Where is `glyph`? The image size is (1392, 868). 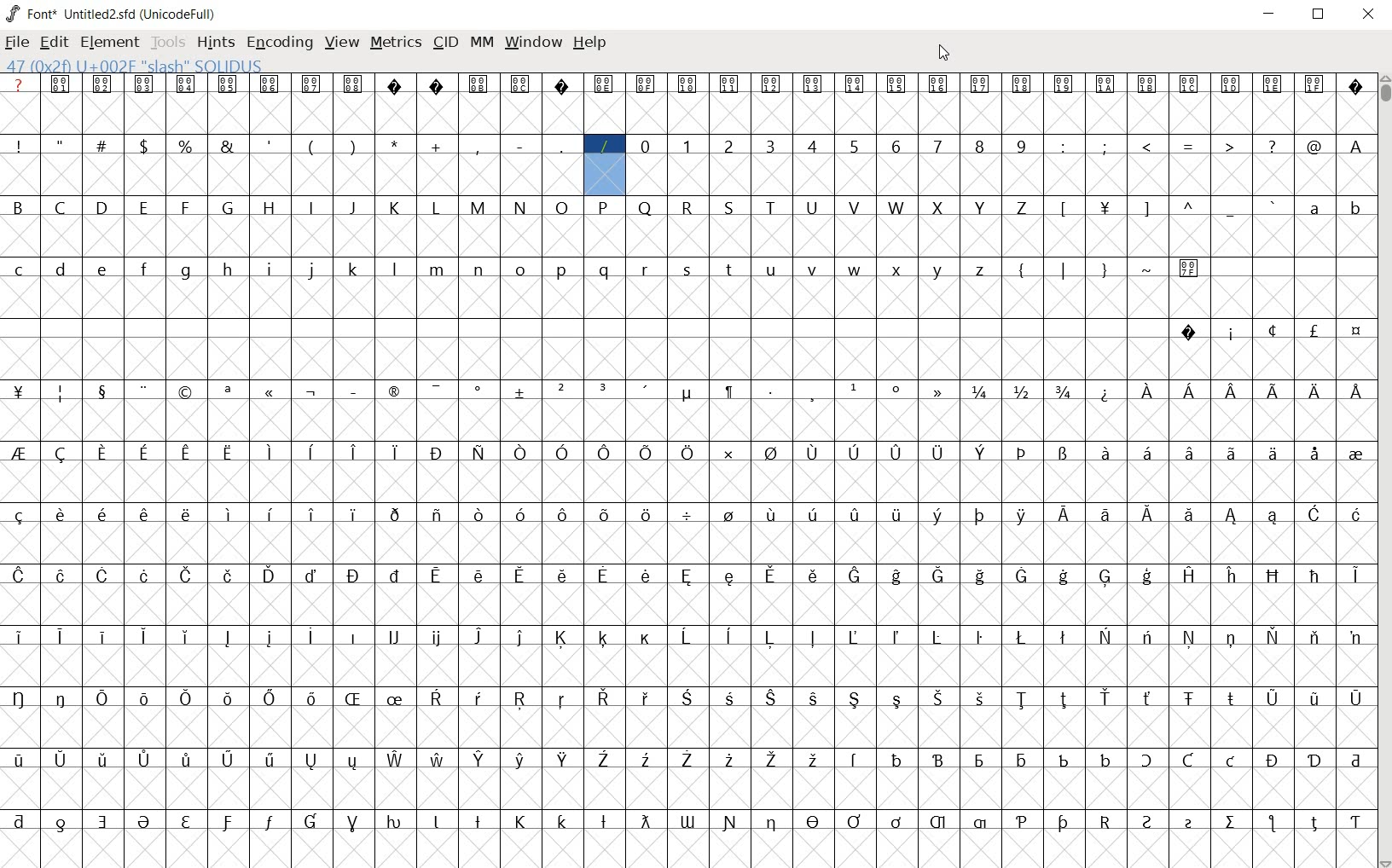 glyph is located at coordinates (437, 147).